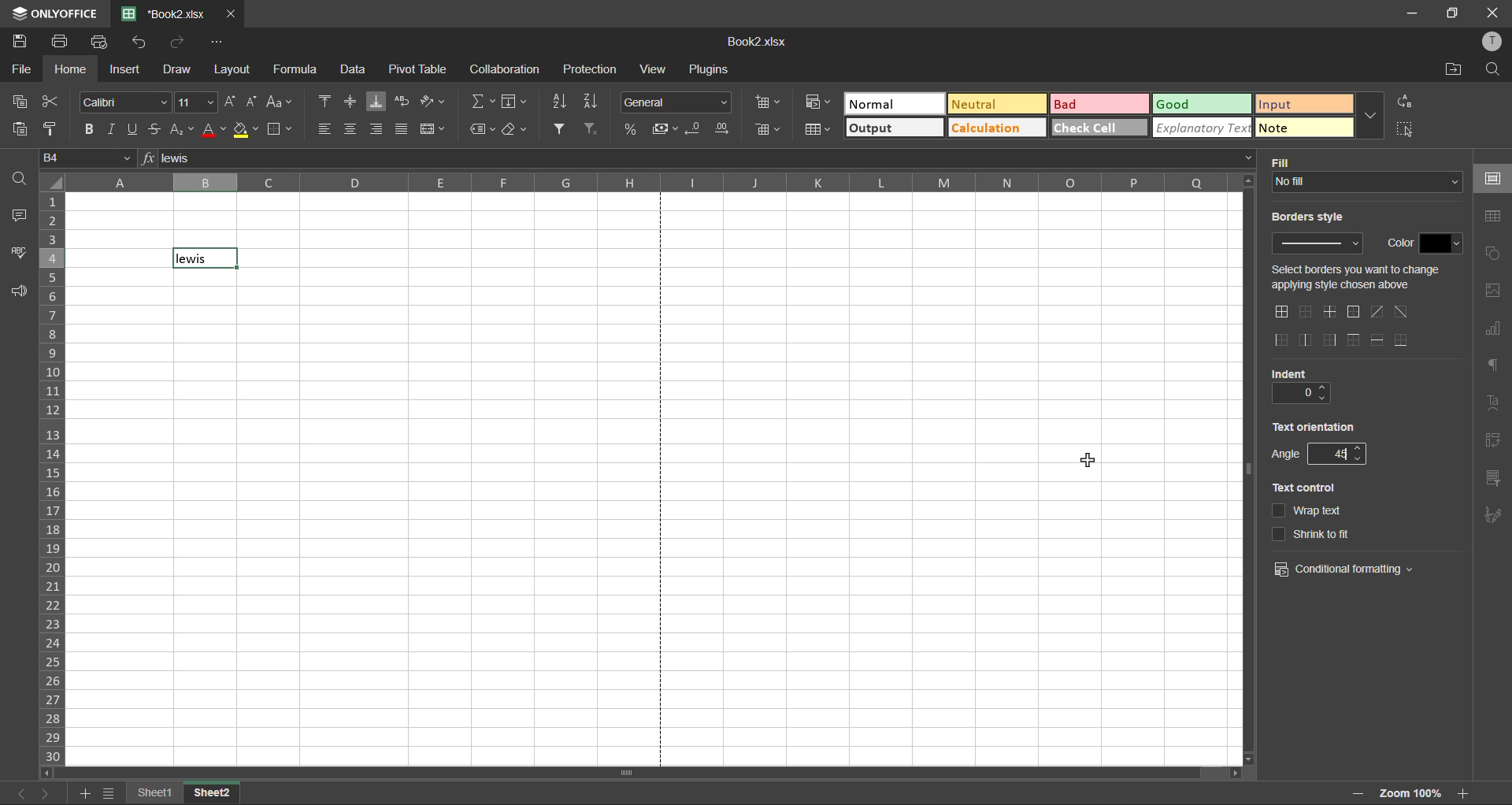 The width and height of the screenshot is (1512, 805). Describe the element at coordinates (133, 130) in the screenshot. I see `underline` at that location.